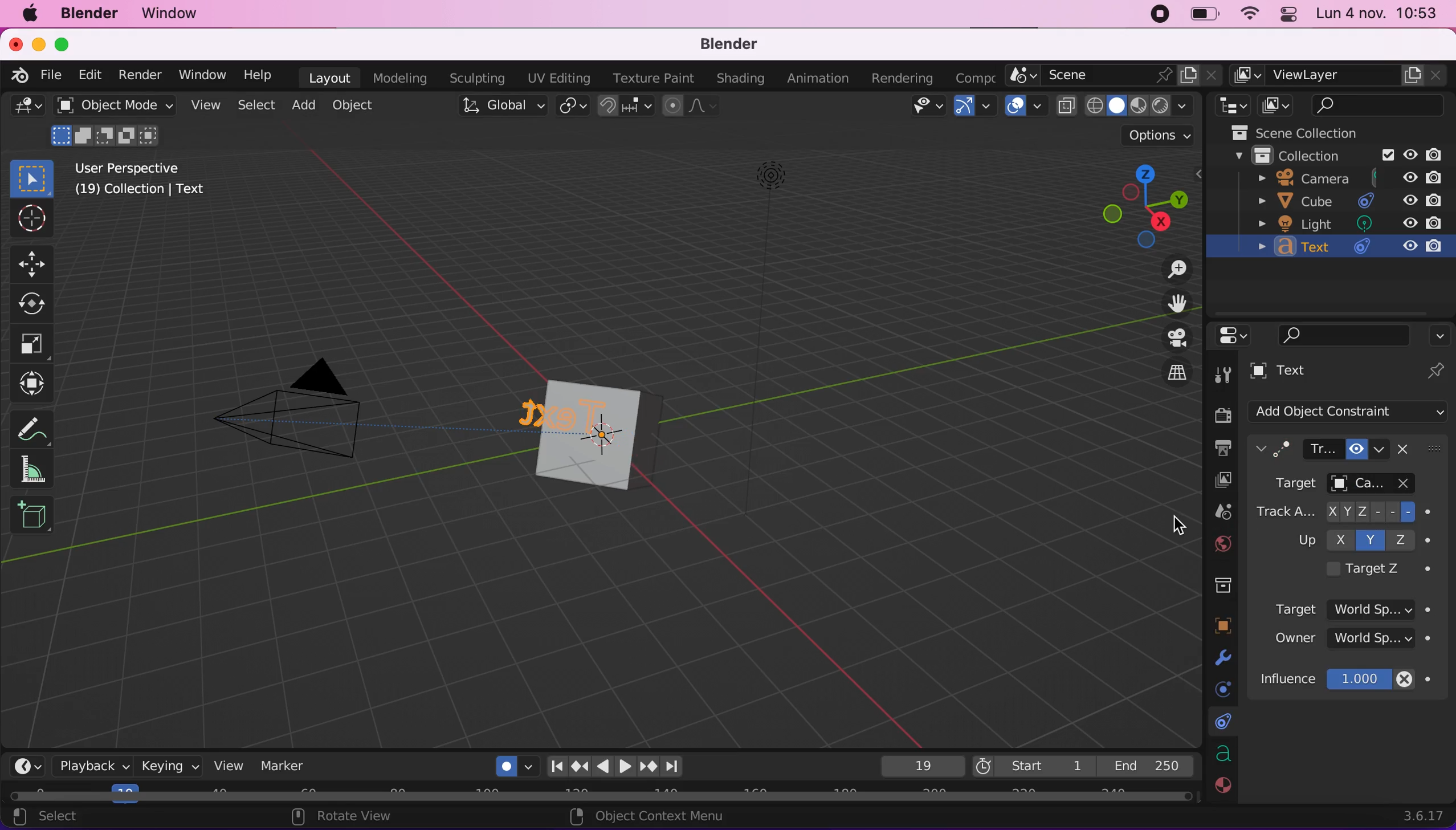  I want to click on proportional editing objects, so click(690, 107).